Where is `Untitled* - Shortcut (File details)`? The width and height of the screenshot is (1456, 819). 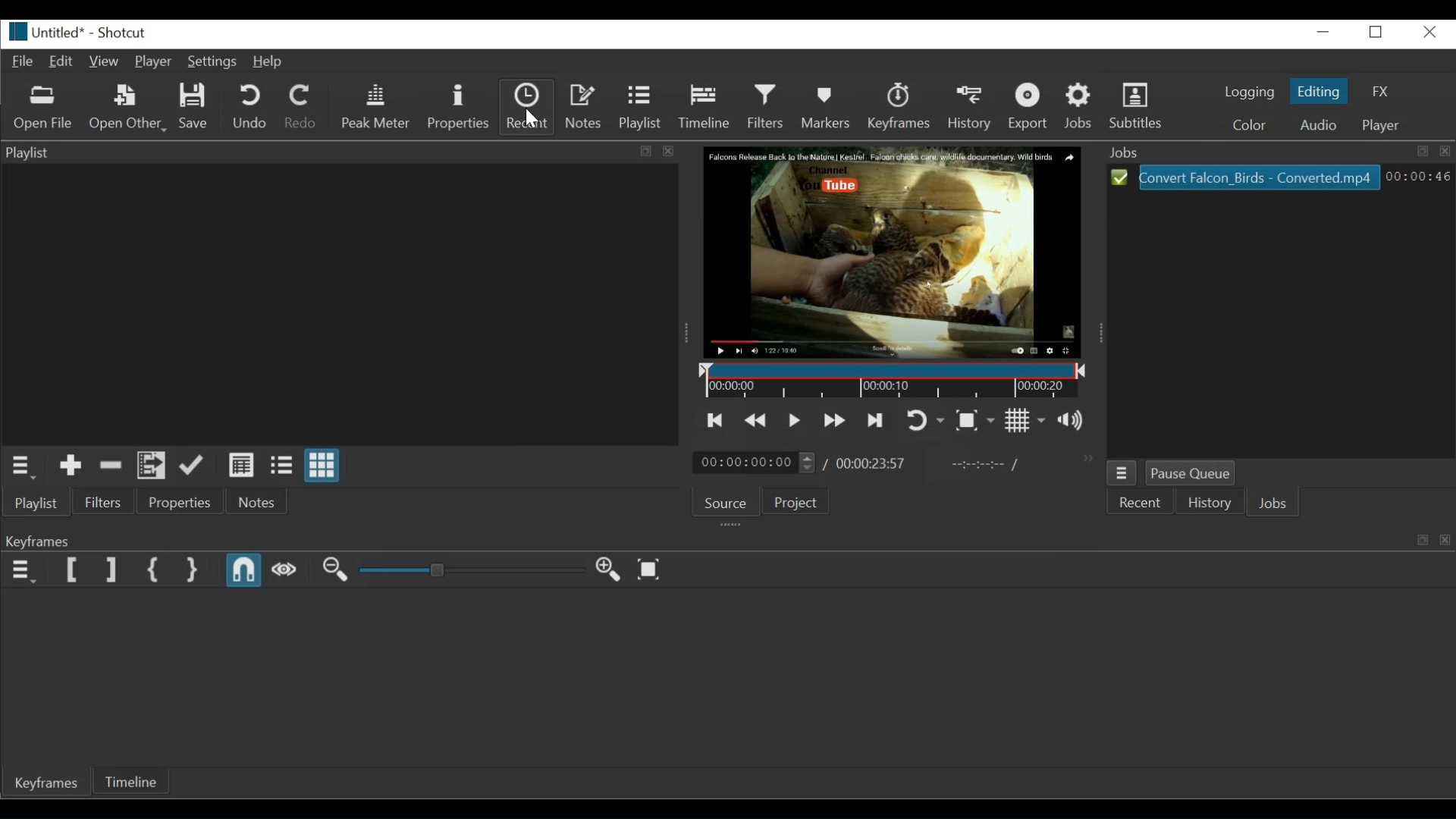
Untitled* - Shortcut (File details) is located at coordinates (88, 32).